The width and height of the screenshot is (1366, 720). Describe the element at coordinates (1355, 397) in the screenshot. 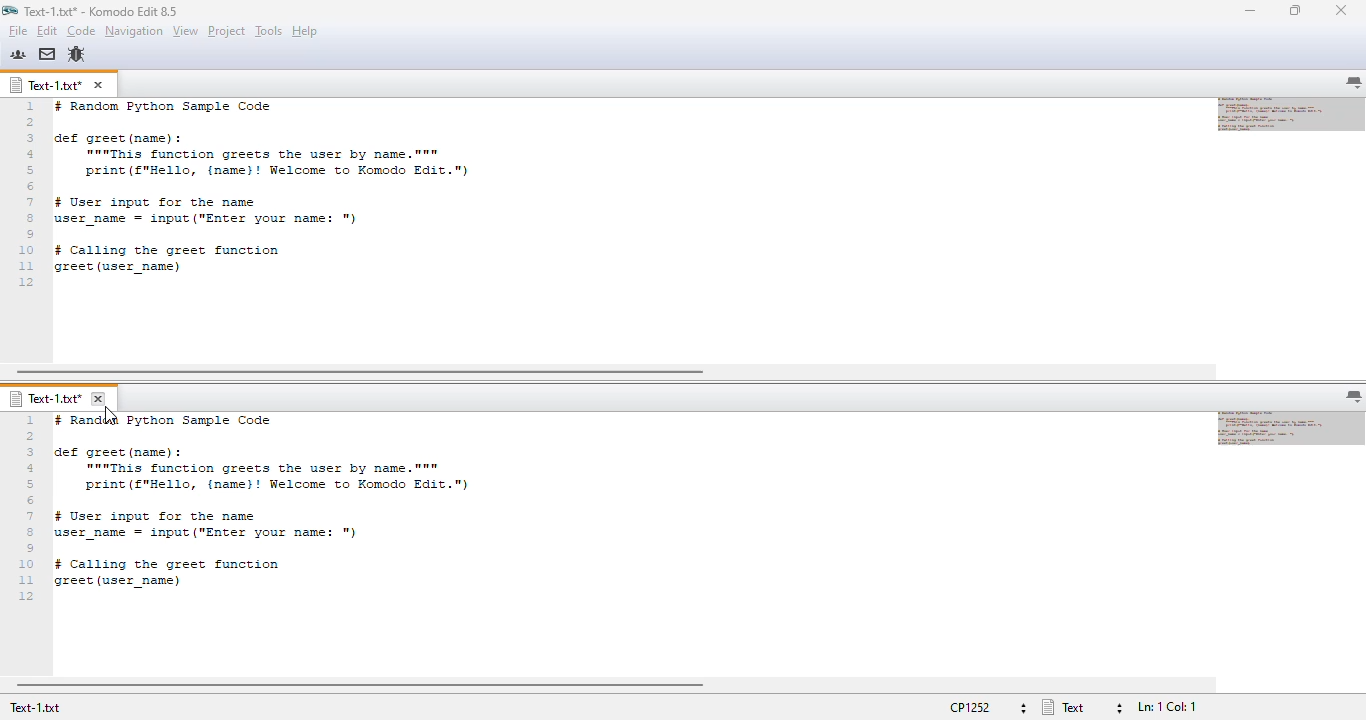

I see `list all tabs` at that location.